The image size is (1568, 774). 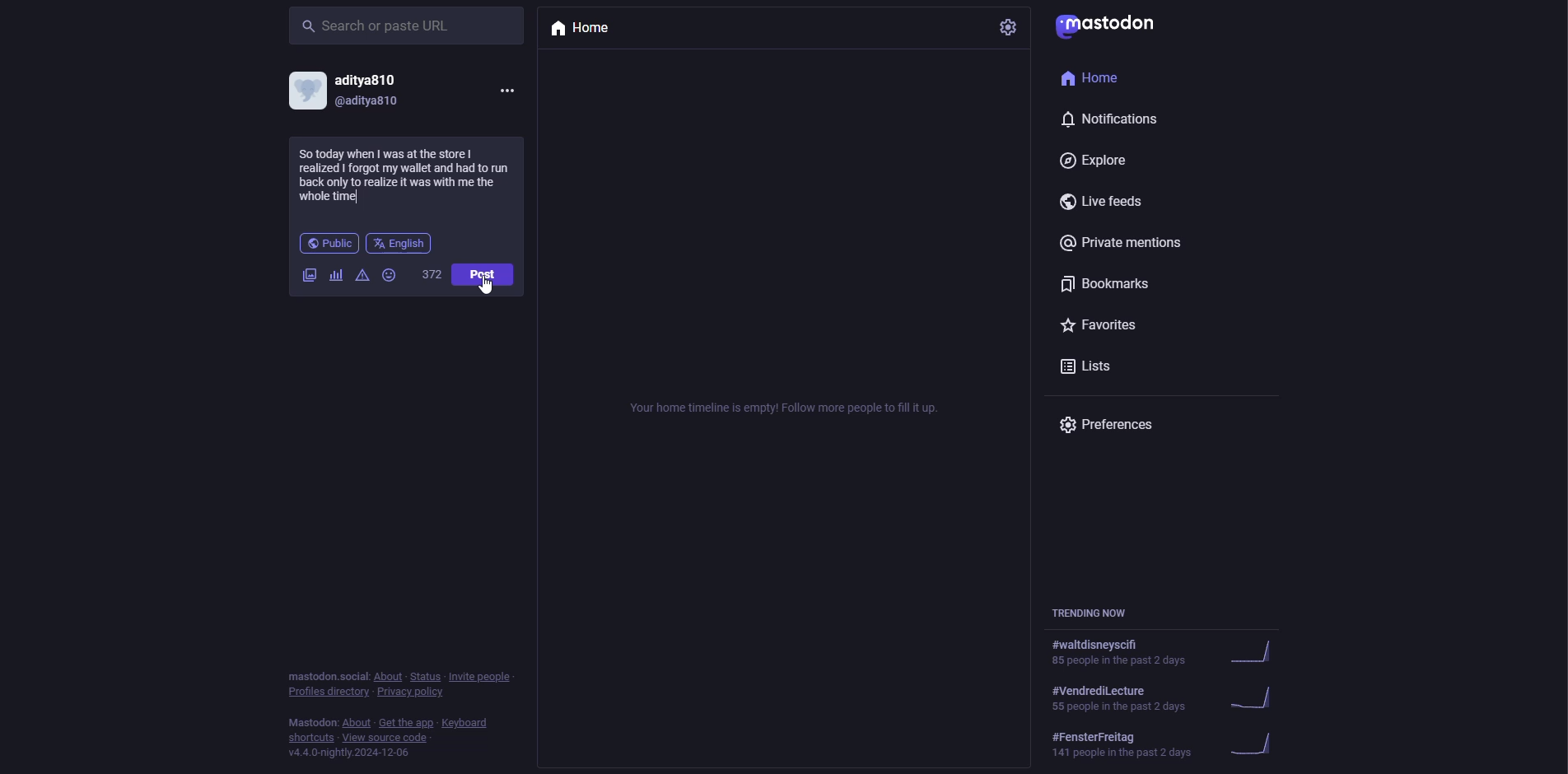 I want to click on live feeds, so click(x=1104, y=204).